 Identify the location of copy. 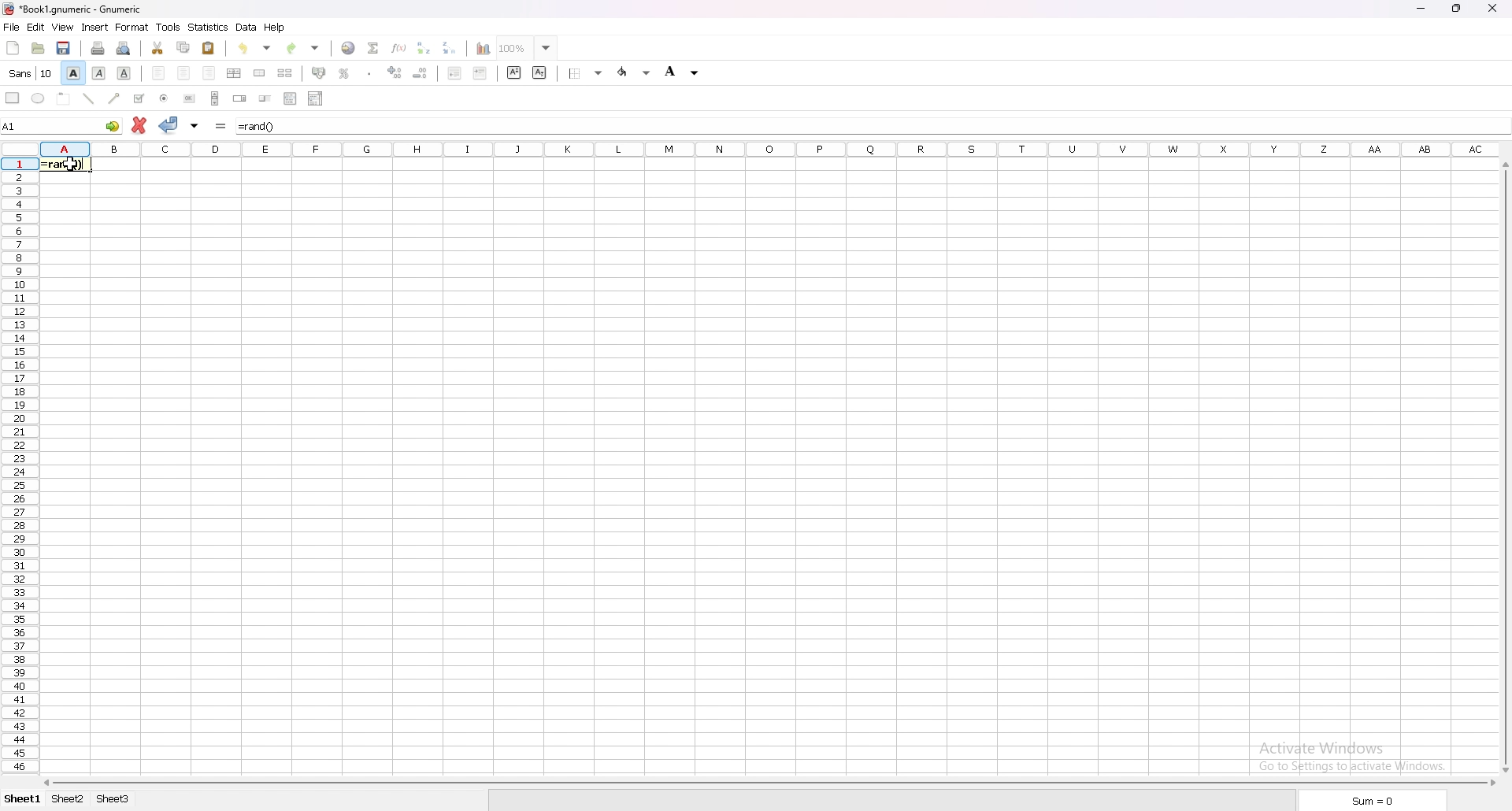
(183, 47).